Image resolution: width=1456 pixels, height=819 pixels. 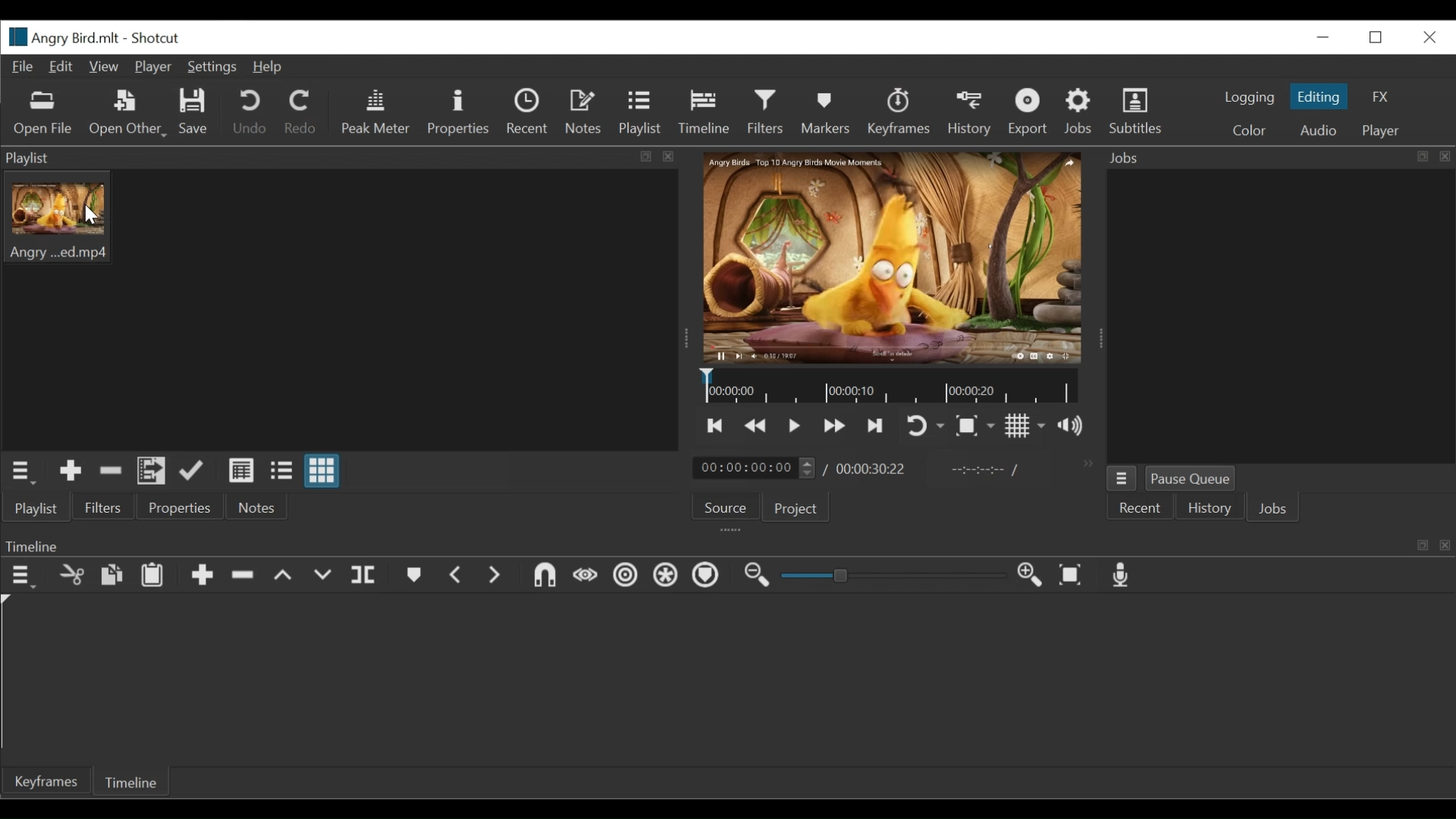 I want to click on Peak Meter, so click(x=372, y=111).